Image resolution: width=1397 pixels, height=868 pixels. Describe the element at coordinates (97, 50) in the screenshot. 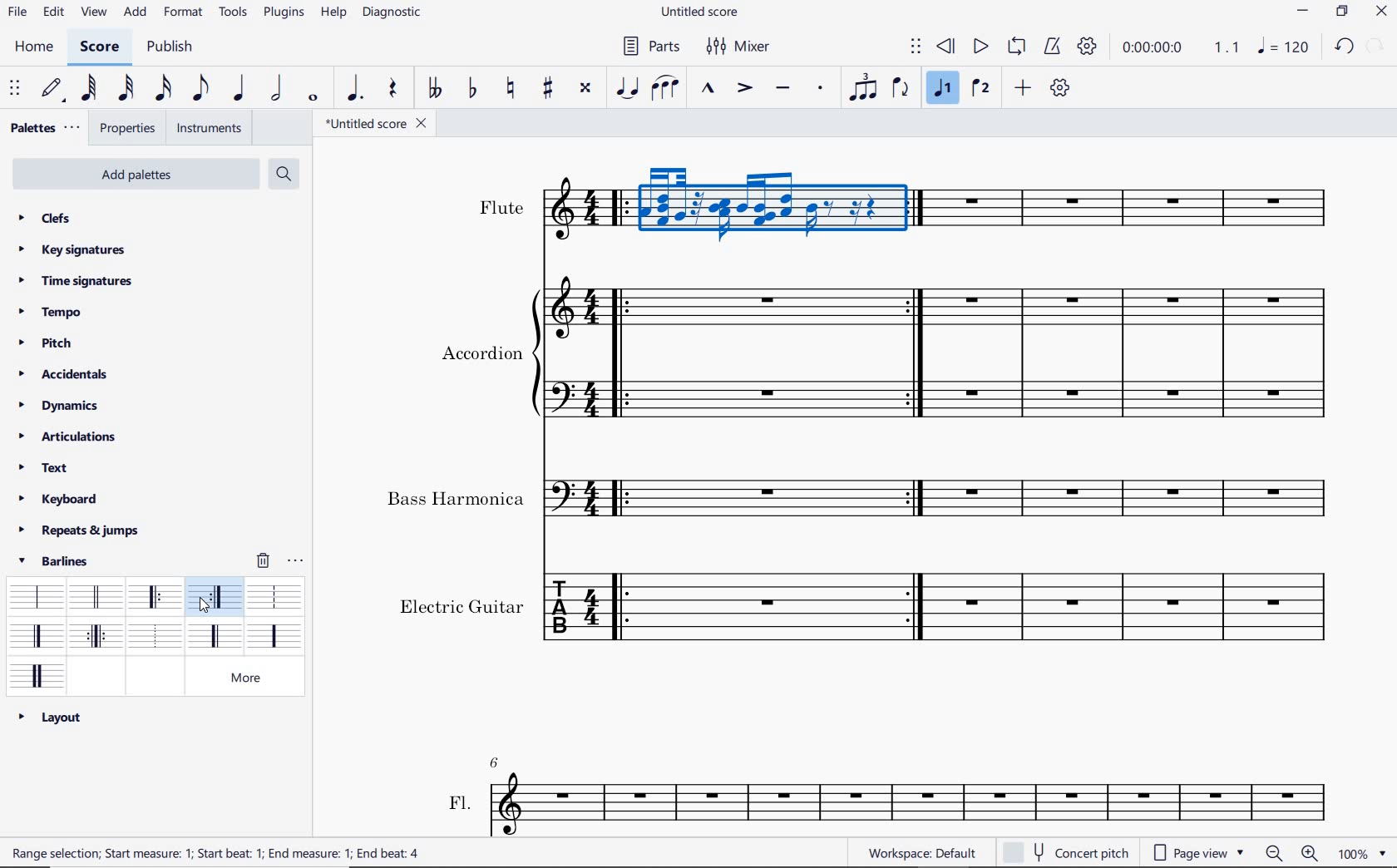

I see `SCORE` at that location.